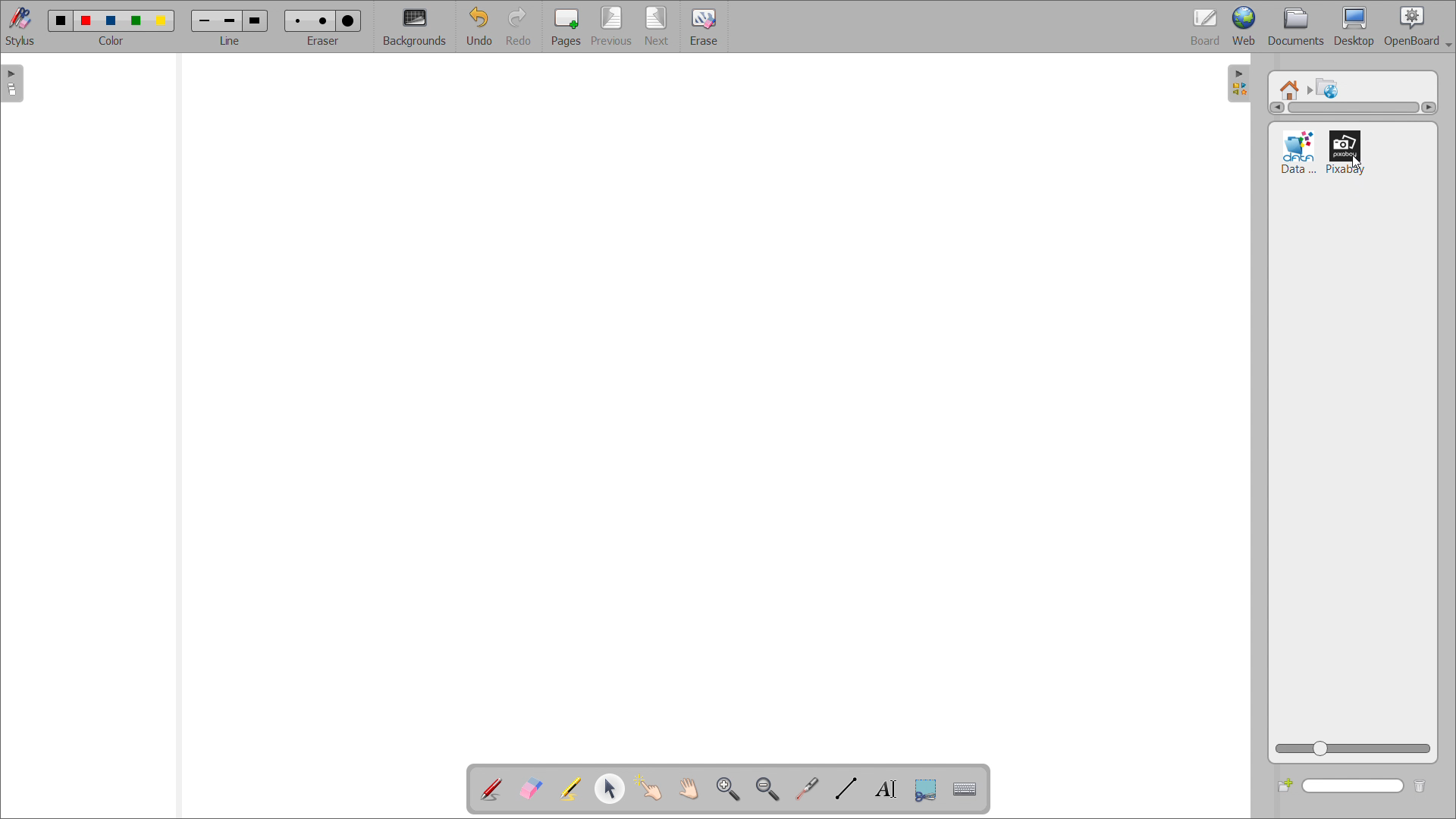  I want to click on add pages, so click(566, 26).